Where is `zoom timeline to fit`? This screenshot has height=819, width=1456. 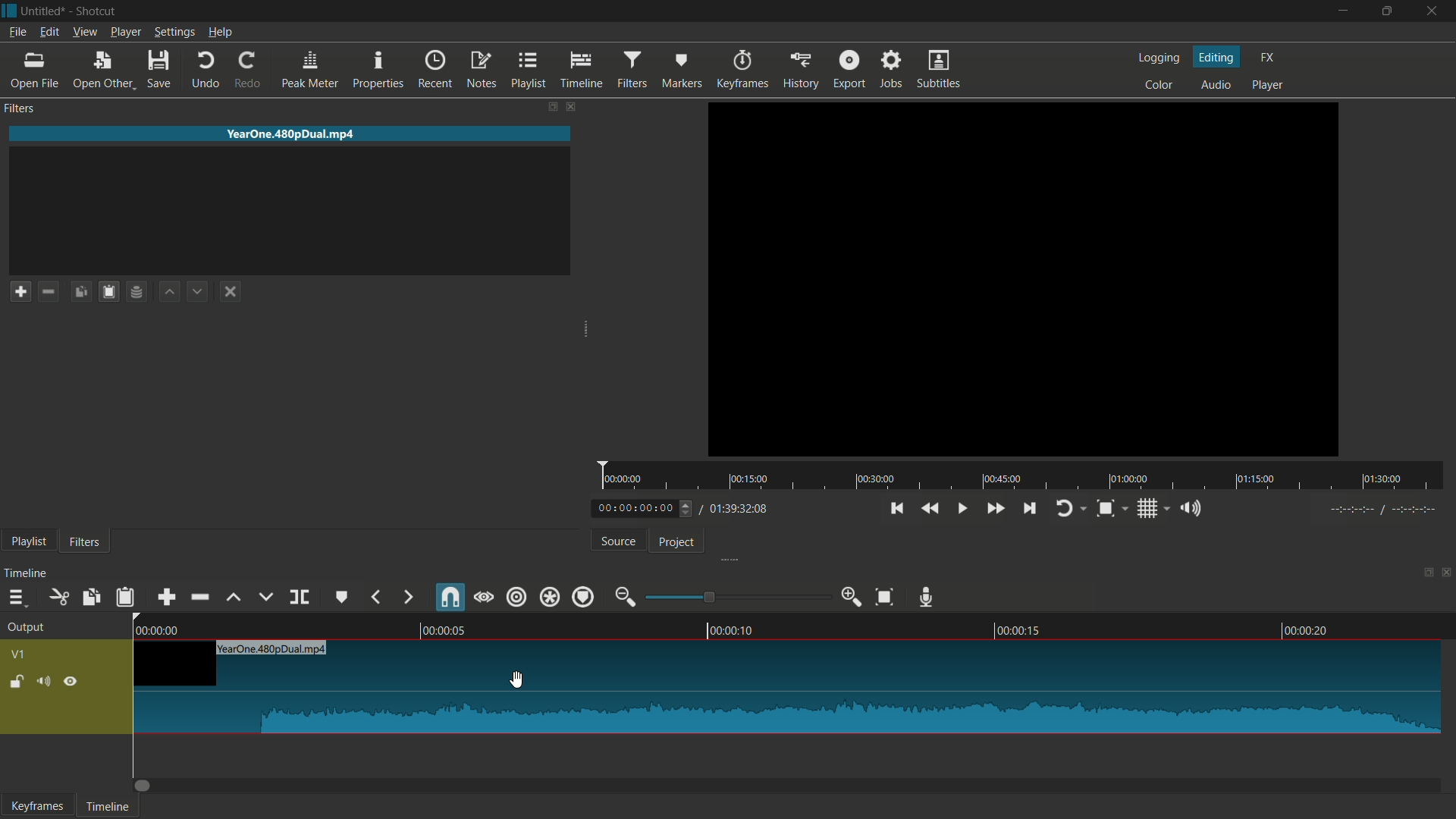 zoom timeline to fit is located at coordinates (883, 598).